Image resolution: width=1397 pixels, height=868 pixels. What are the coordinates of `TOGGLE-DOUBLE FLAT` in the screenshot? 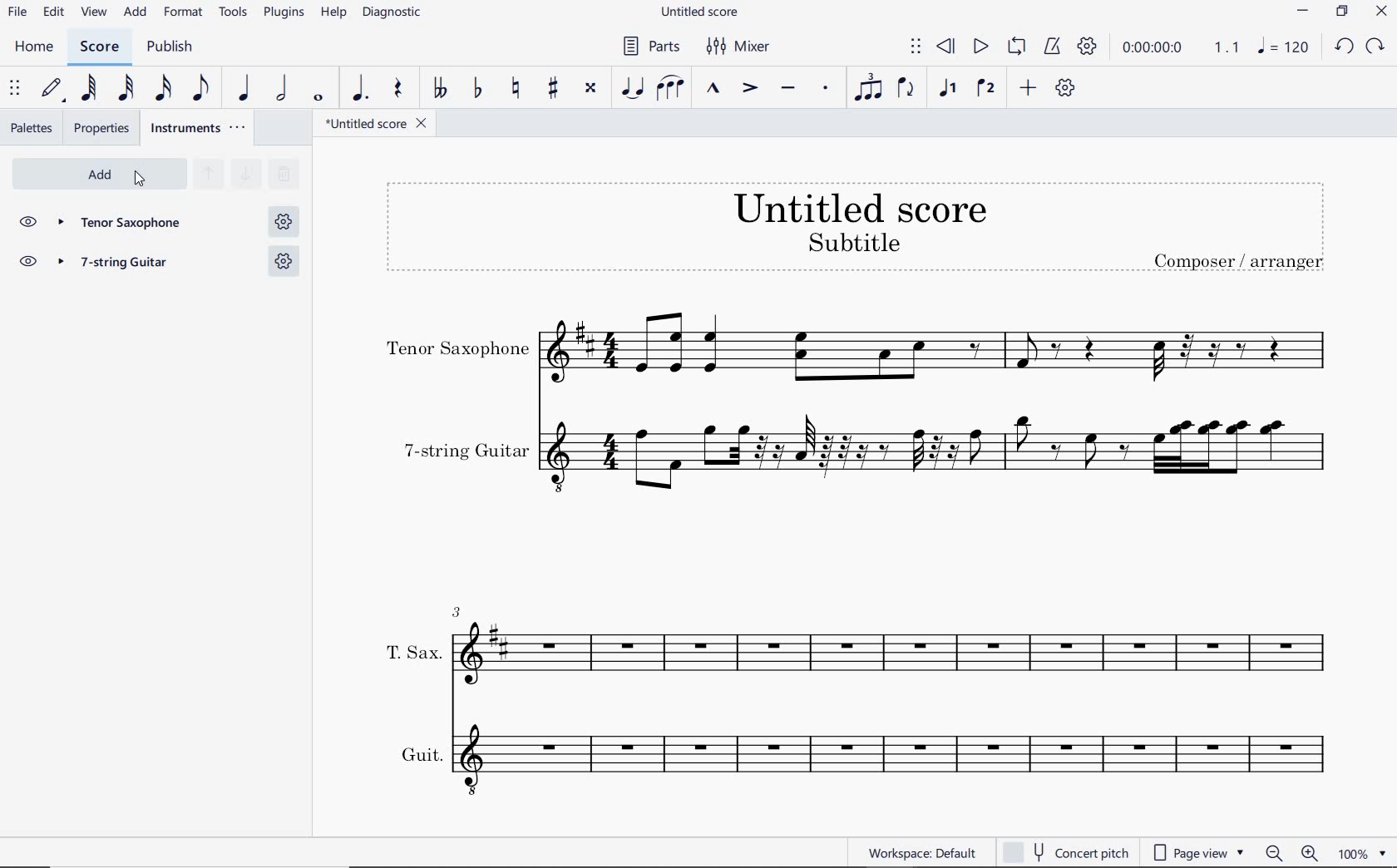 It's located at (437, 88).